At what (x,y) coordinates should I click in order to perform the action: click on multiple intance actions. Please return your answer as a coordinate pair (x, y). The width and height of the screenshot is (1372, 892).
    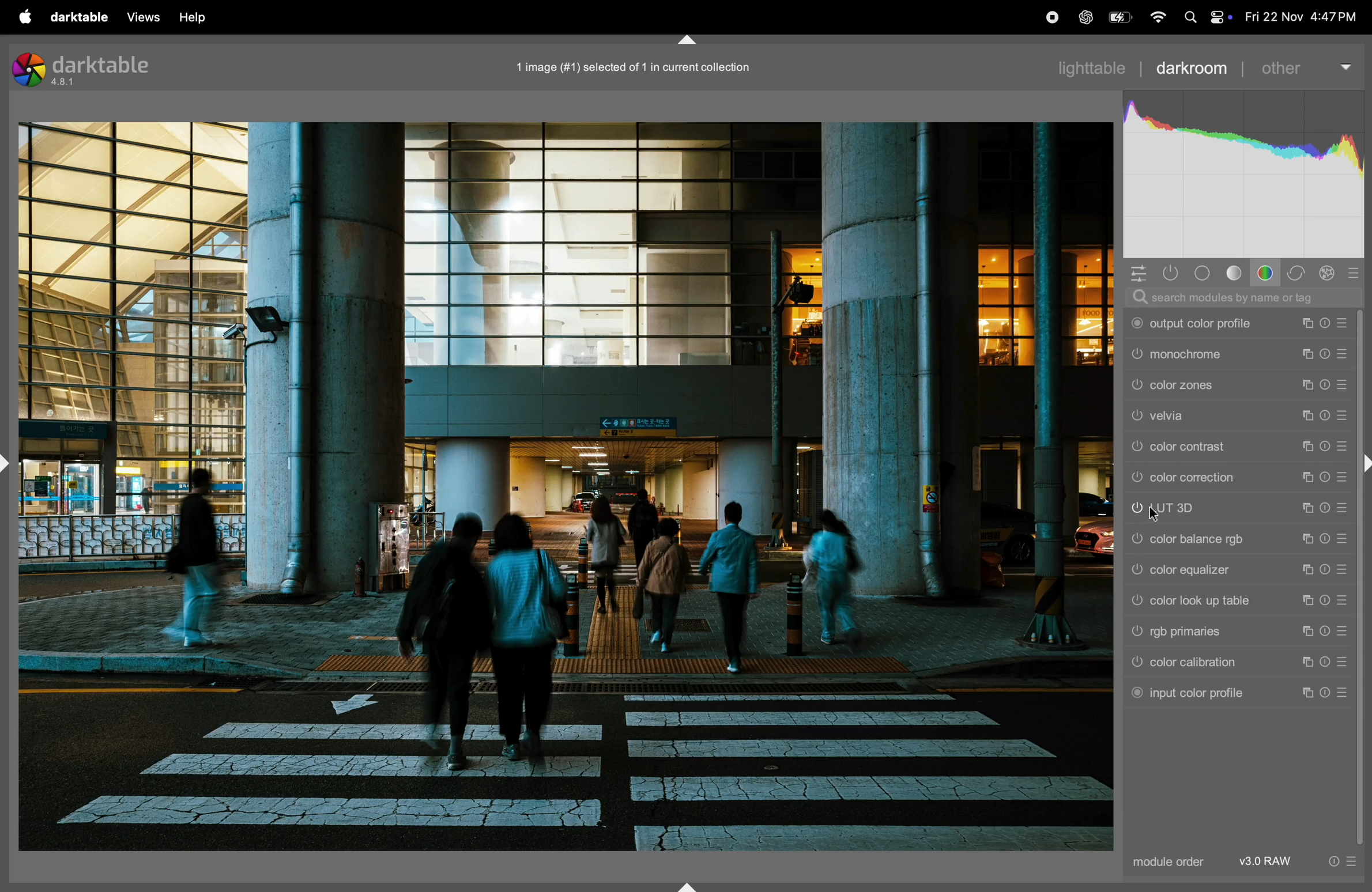
    Looking at the image, I should click on (1303, 323).